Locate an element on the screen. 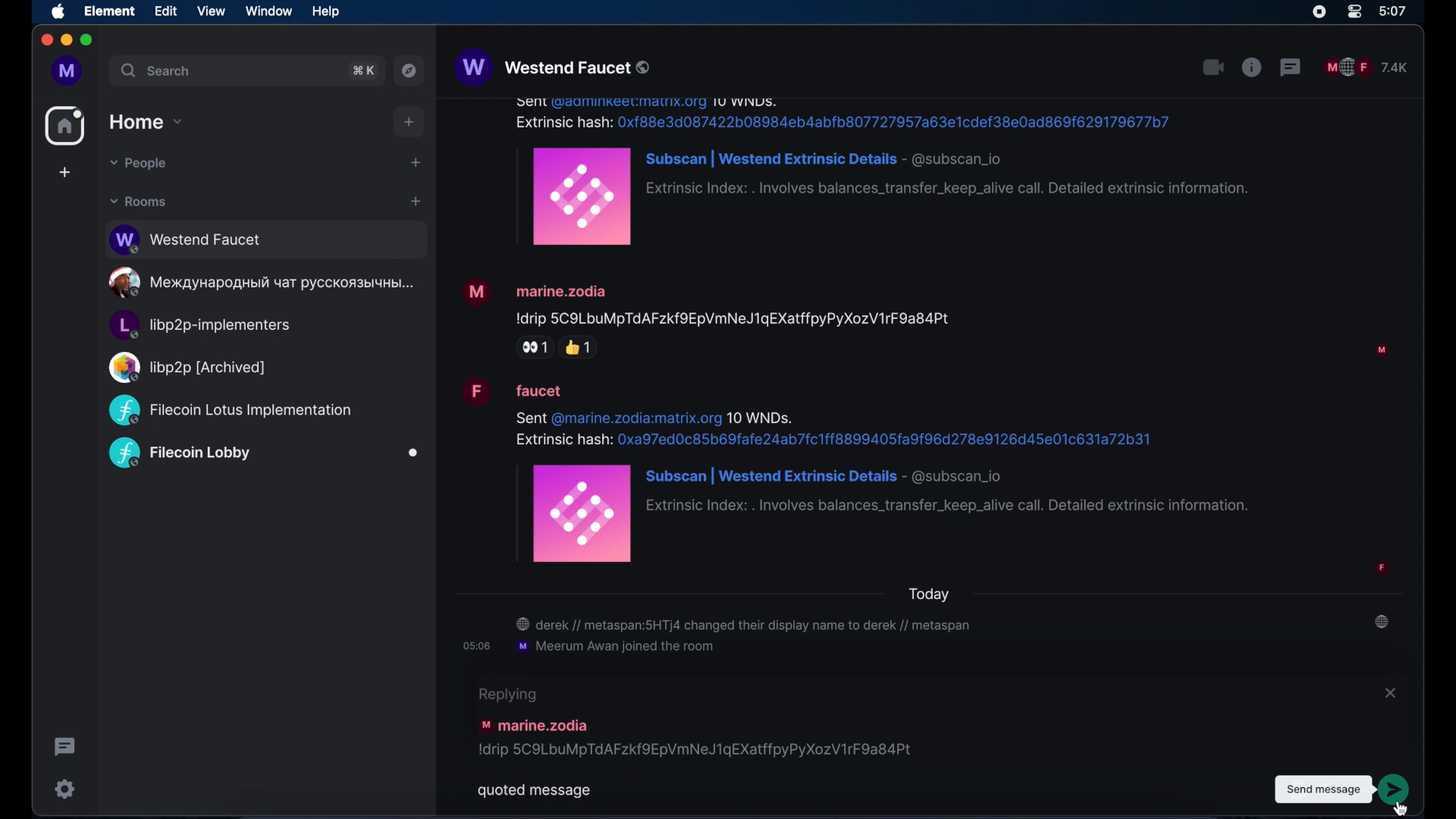 This screenshot has height=819, width=1456. help is located at coordinates (325, 11).